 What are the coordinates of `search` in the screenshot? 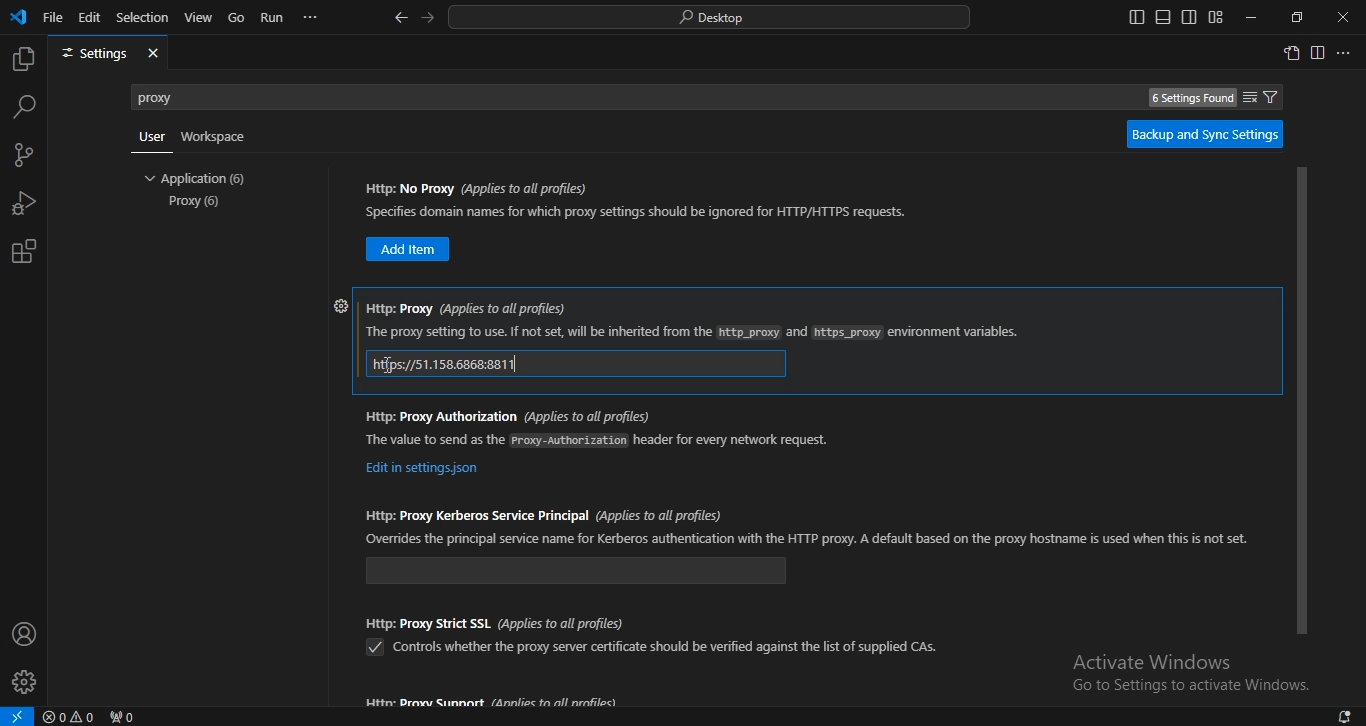 It's located at (711, 18).